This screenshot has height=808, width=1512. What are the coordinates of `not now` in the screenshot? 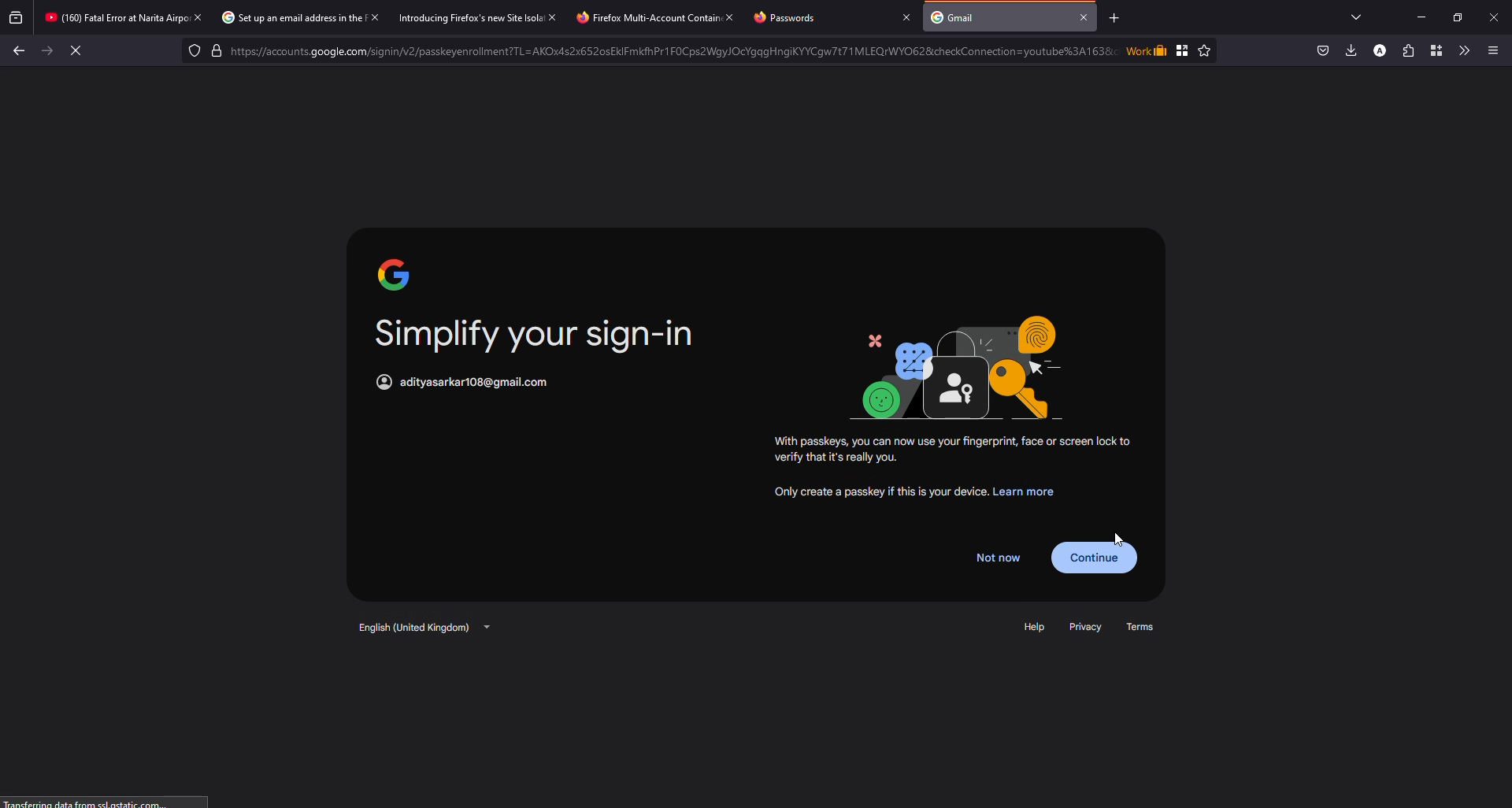 It's located at (998, 557).